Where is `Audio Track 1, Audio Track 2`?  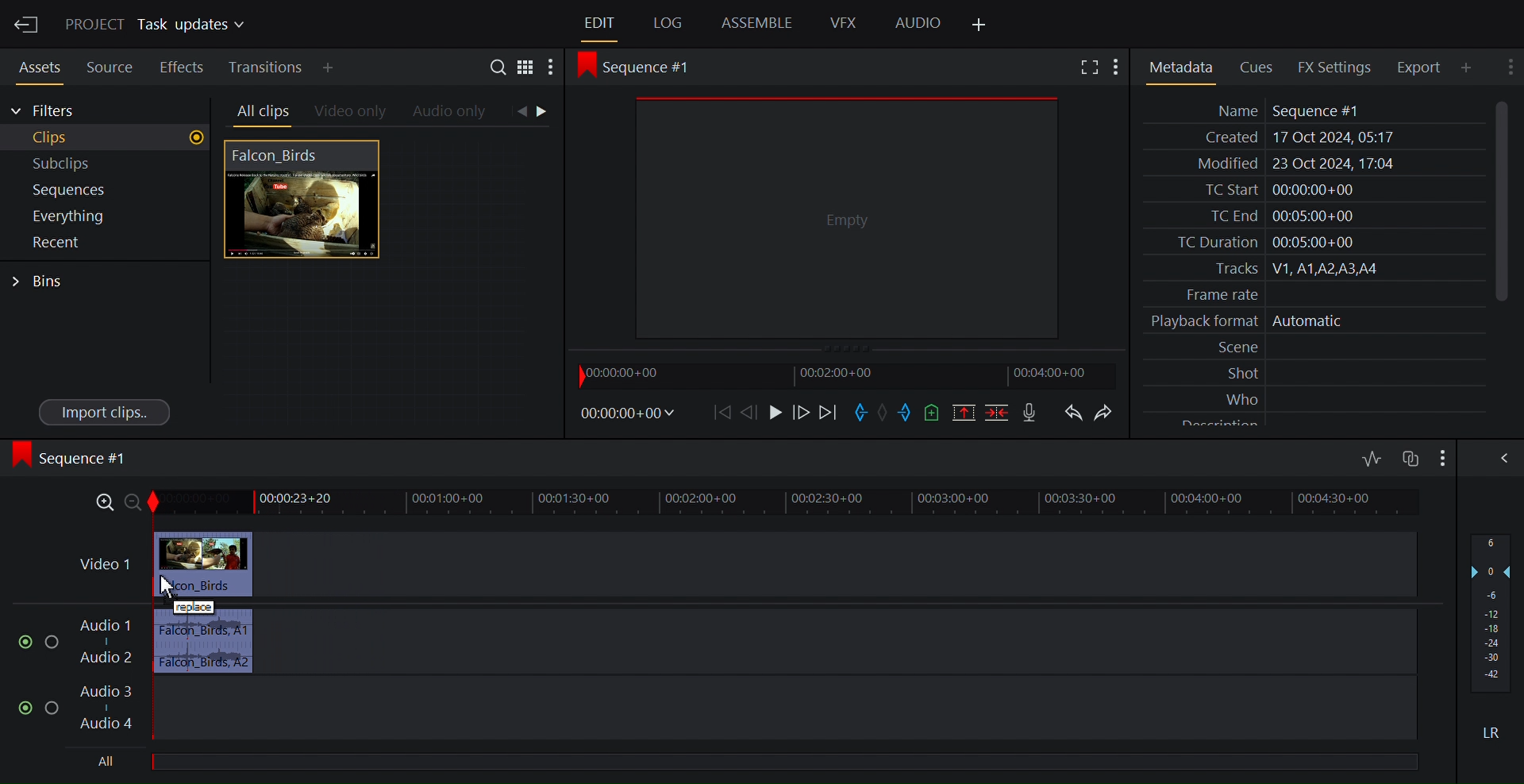
Audio Track 1, Audio Track 2 is located at coordinates (745, 645).